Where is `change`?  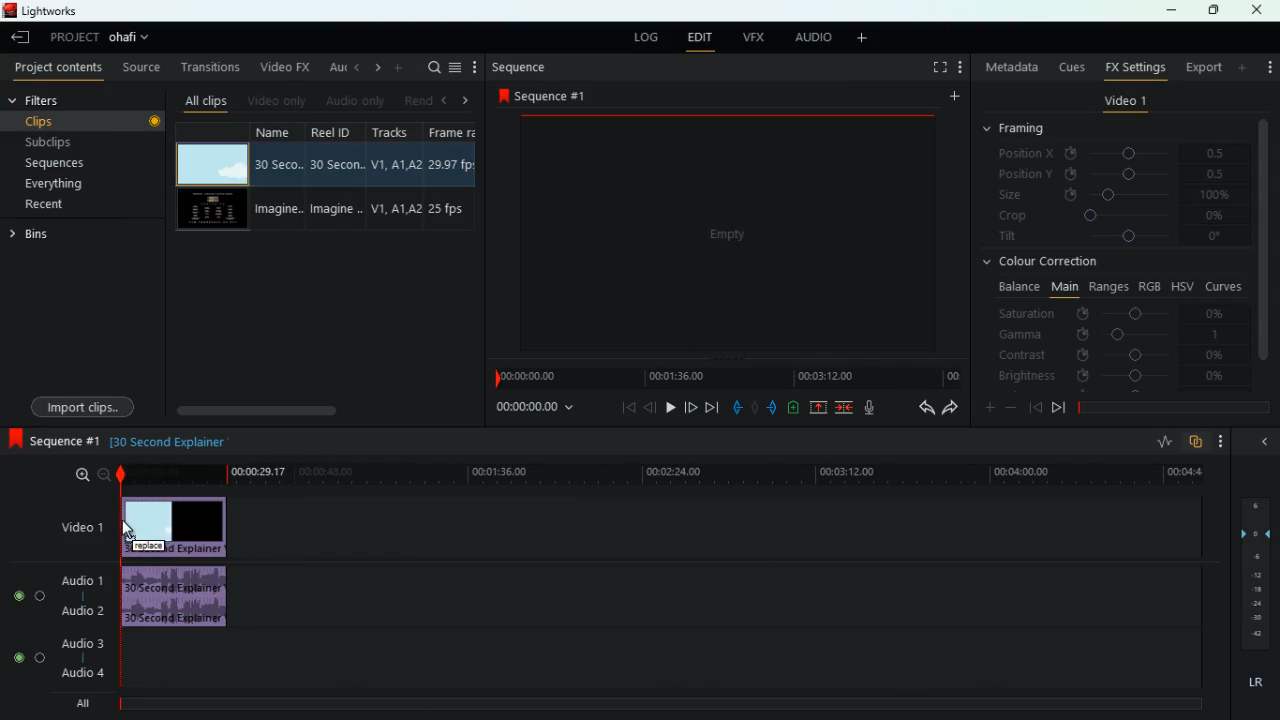 change is located at coordinates (374, 68).